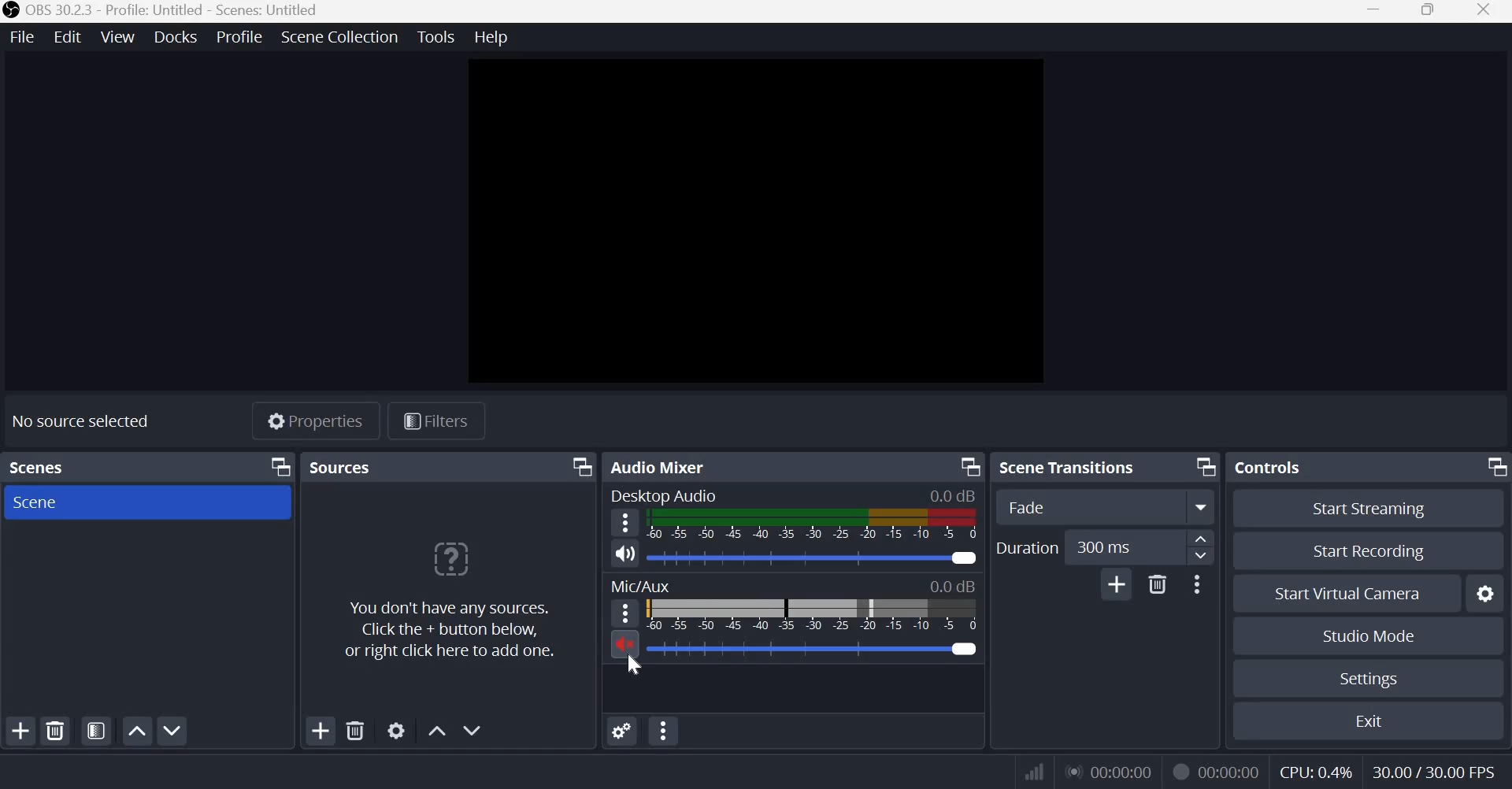 This screenshot has width=1512, height=789. I want to click on Scene, so click(72, 502).